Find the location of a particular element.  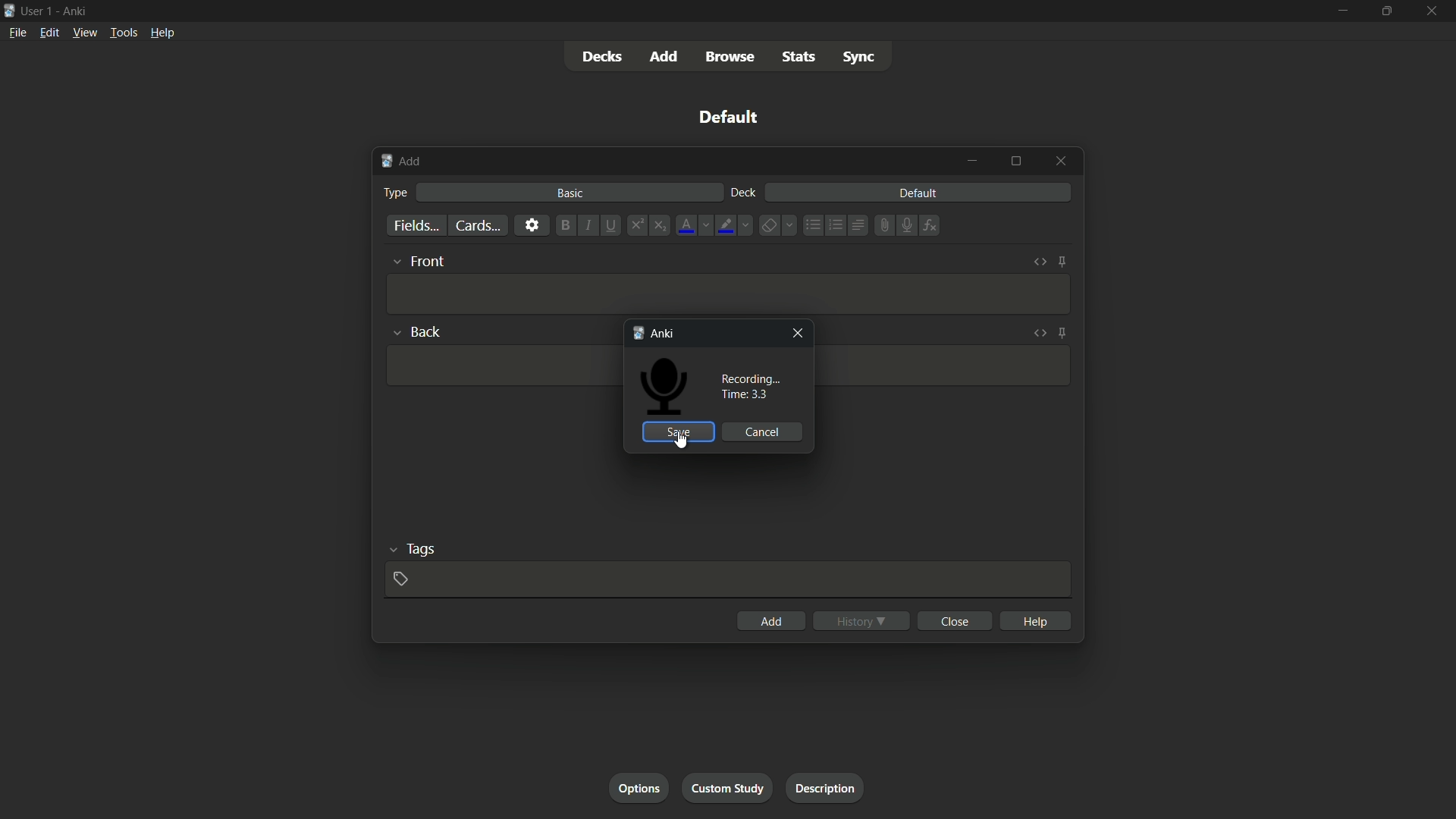

superscript is located at coordinates (636, 225).